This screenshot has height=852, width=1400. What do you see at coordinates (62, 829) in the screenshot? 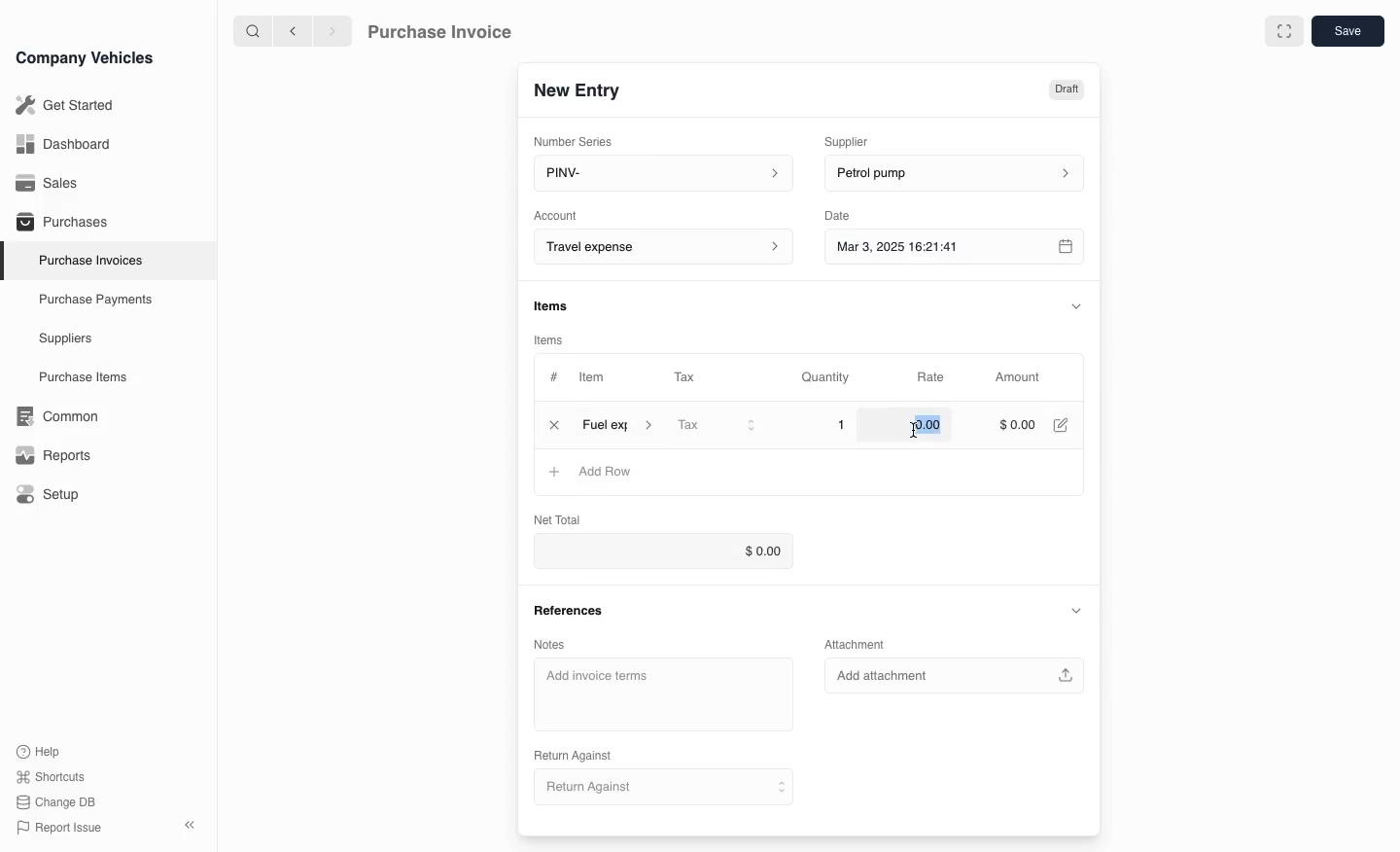
I see `Report issue` at bounding box center [62, 829].